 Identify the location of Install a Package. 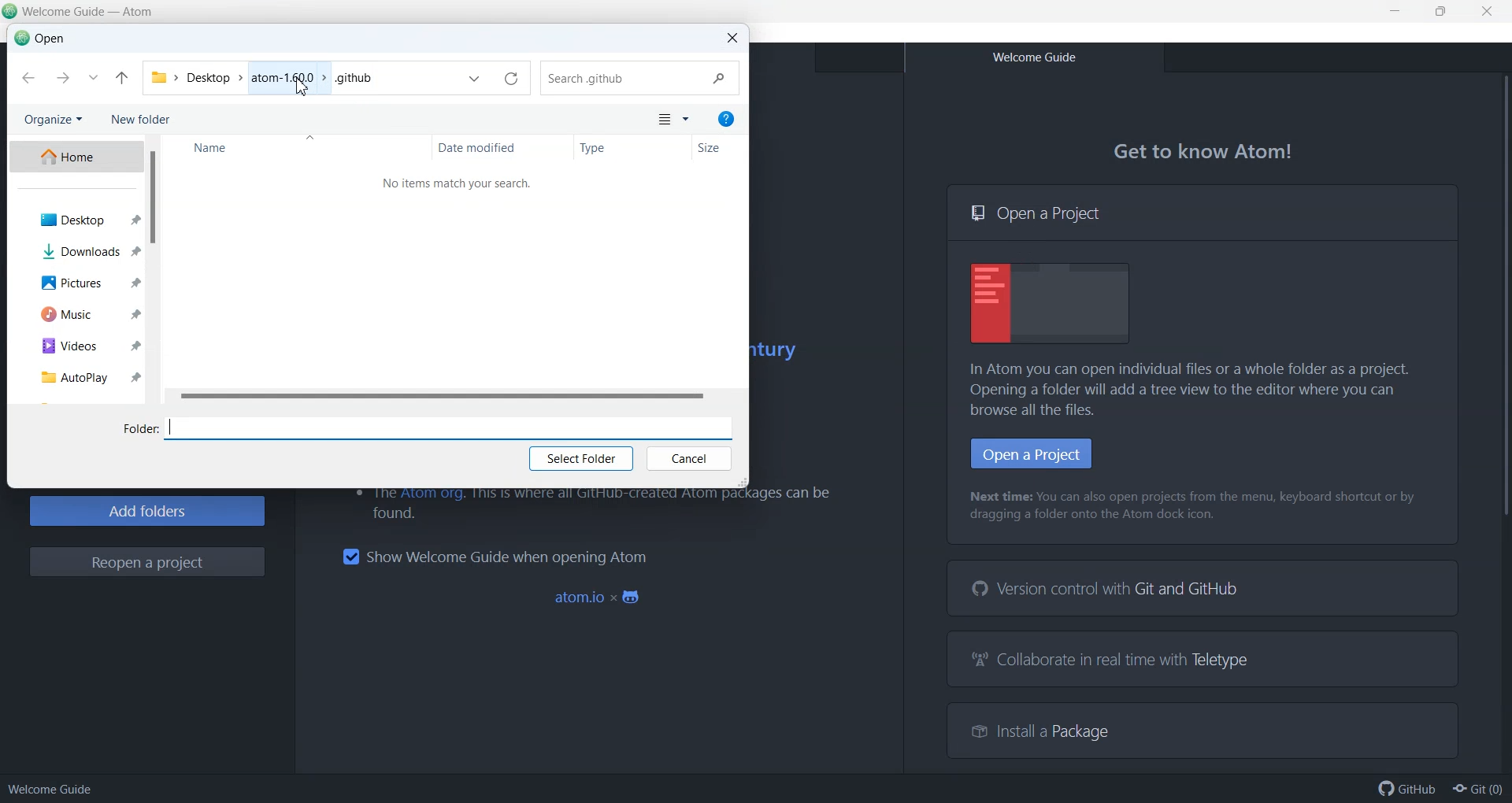
(1032, 729).